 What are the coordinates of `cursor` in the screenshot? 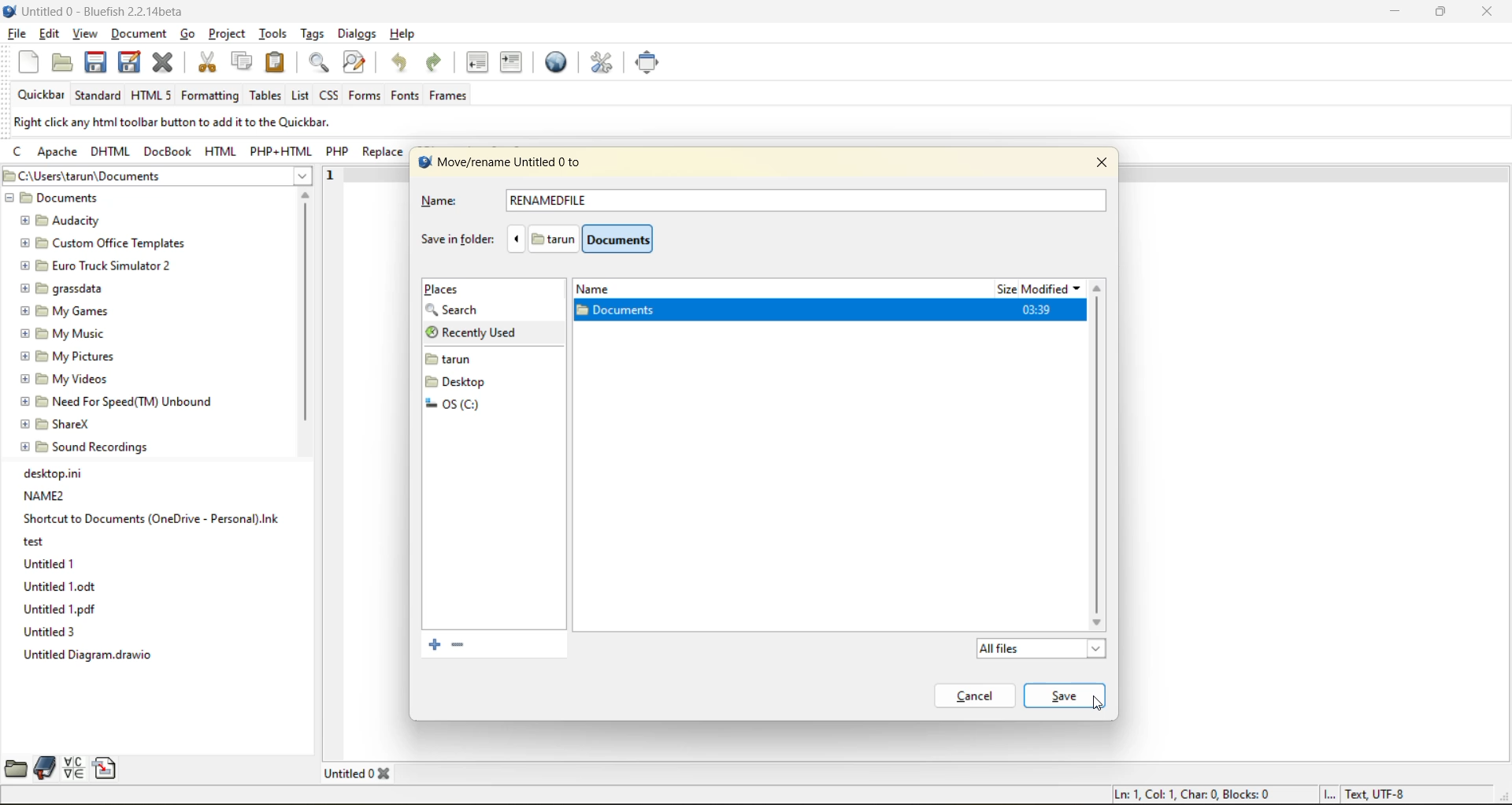 It's located at (1102, 704).